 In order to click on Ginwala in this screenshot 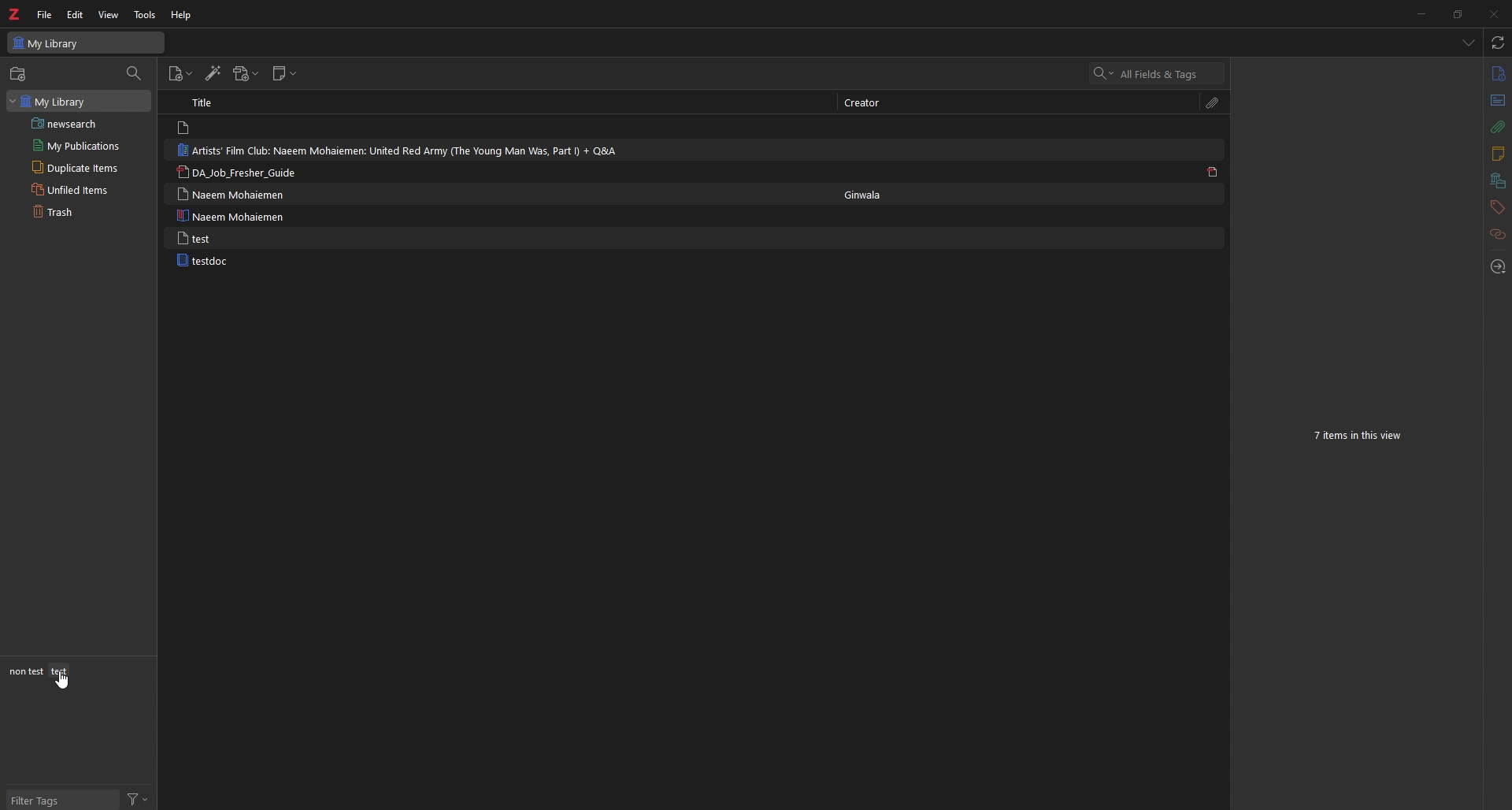, I will do `click(873, 194)`.